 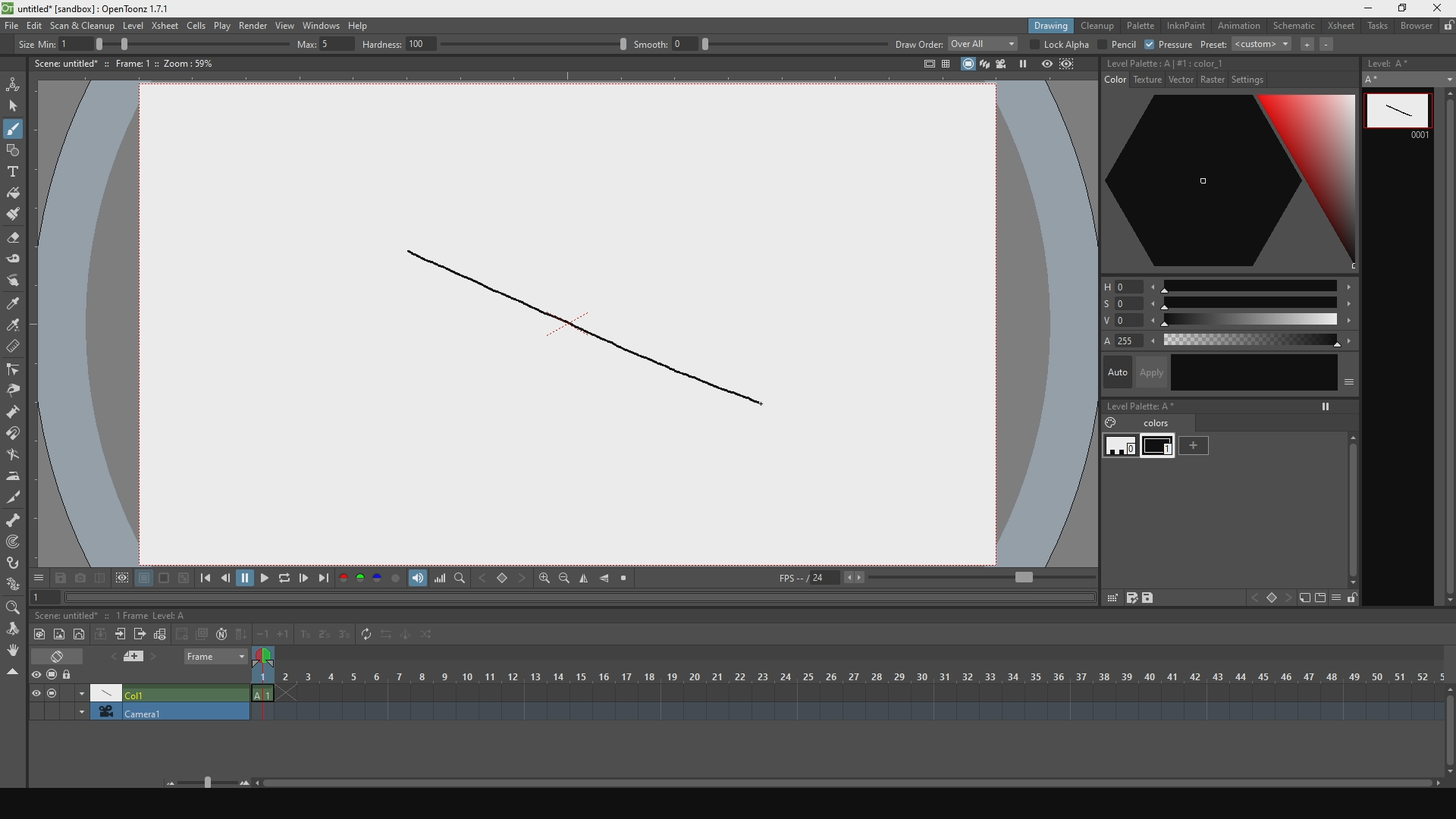 What do you see at coordinates (268, 579) in the screenshot?
I see `play` at bounding box center [268, 579].